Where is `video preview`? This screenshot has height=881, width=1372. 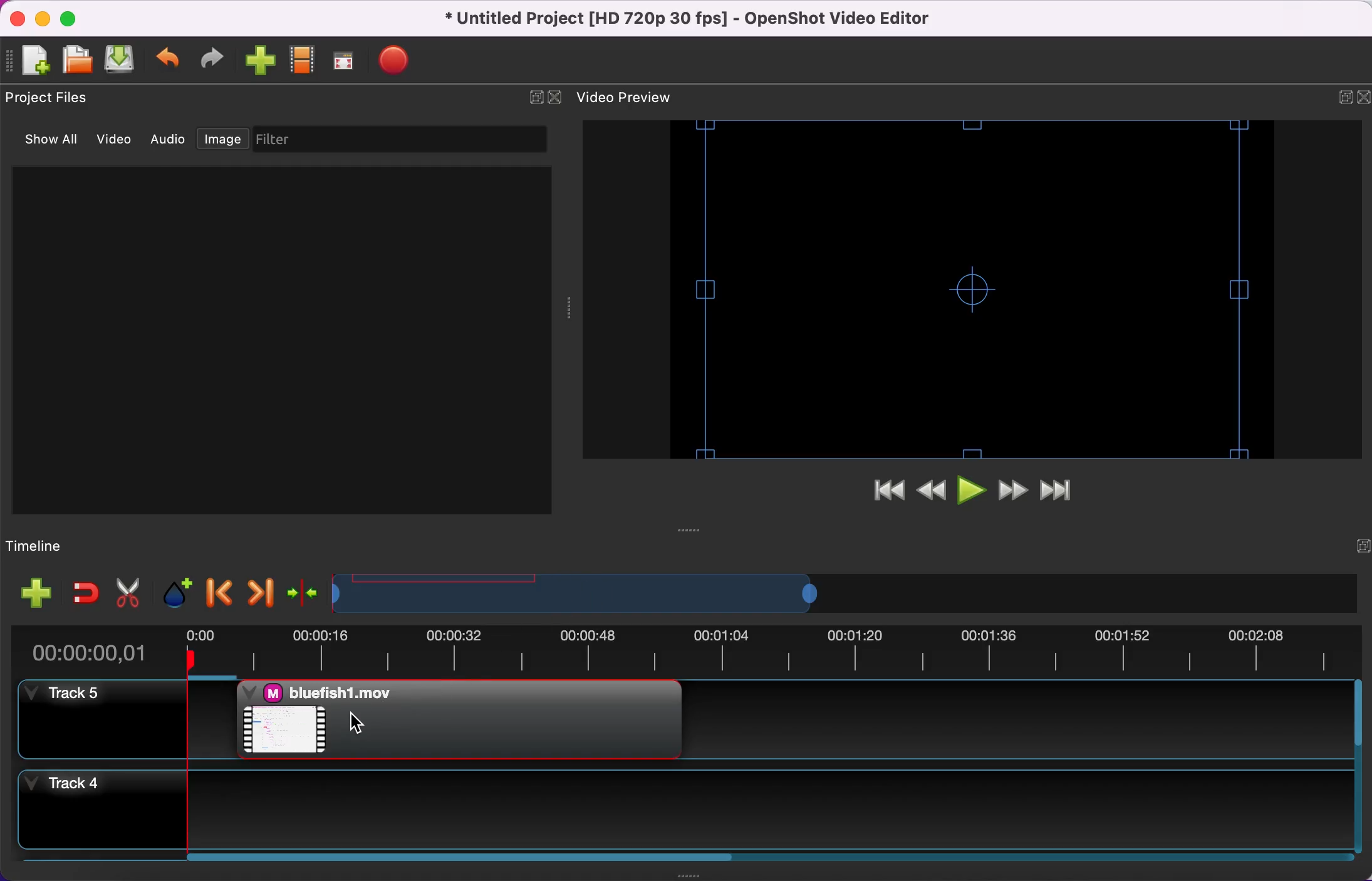
video preview is located at coordinates (938, 290).